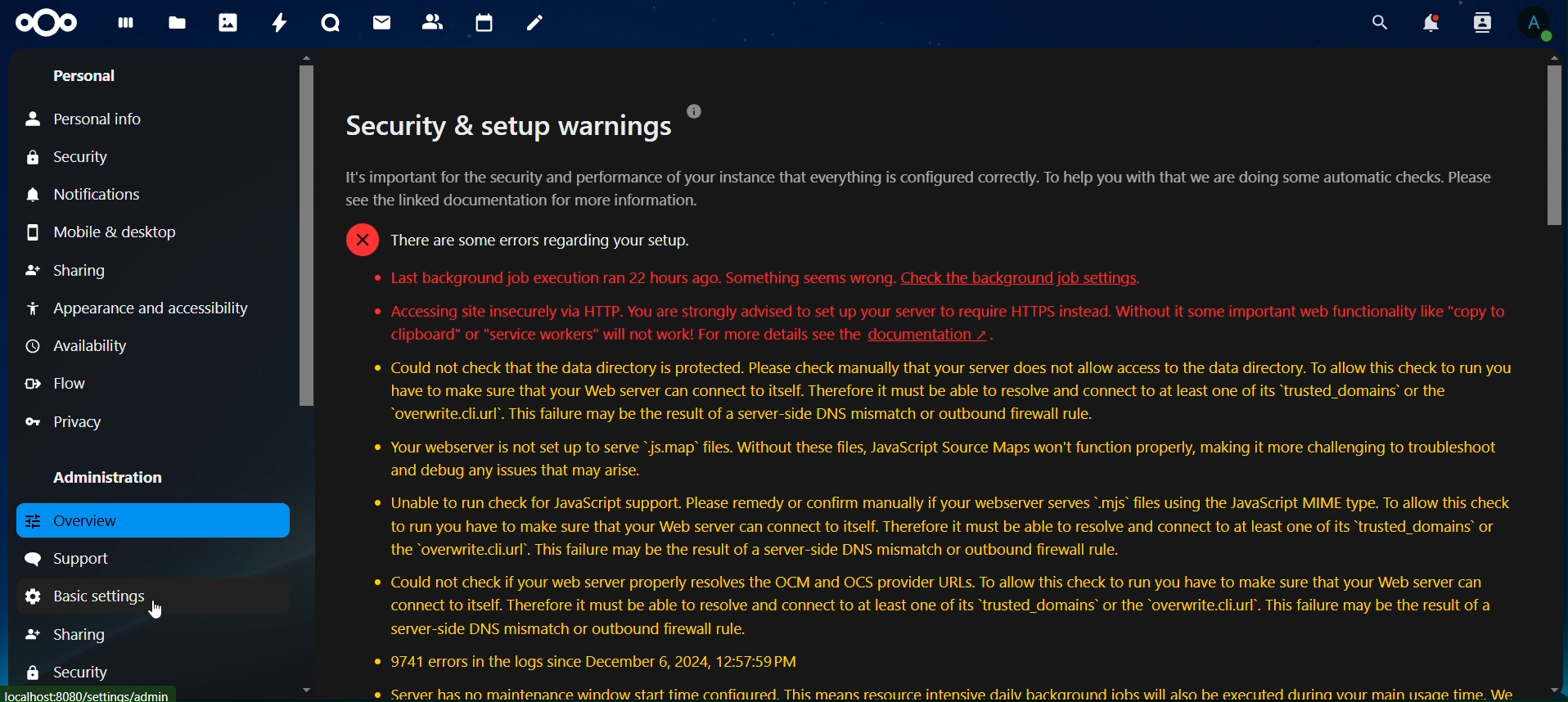  What do you see at coordinates (1539, 25) in the screenshot?
I see `View Profile` at bounding box center [1539, 25].